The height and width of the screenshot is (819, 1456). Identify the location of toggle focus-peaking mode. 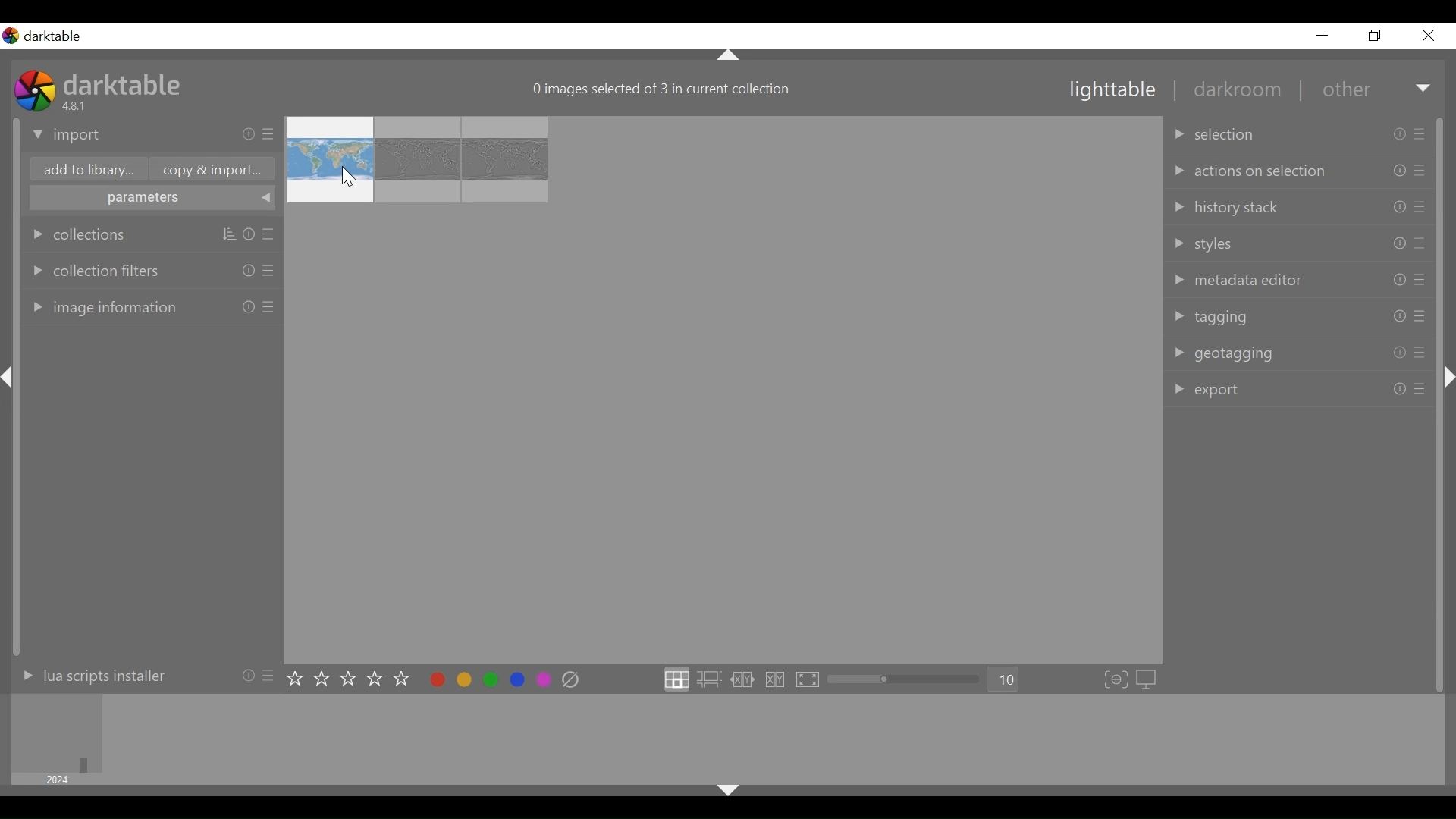
(1116, 677).